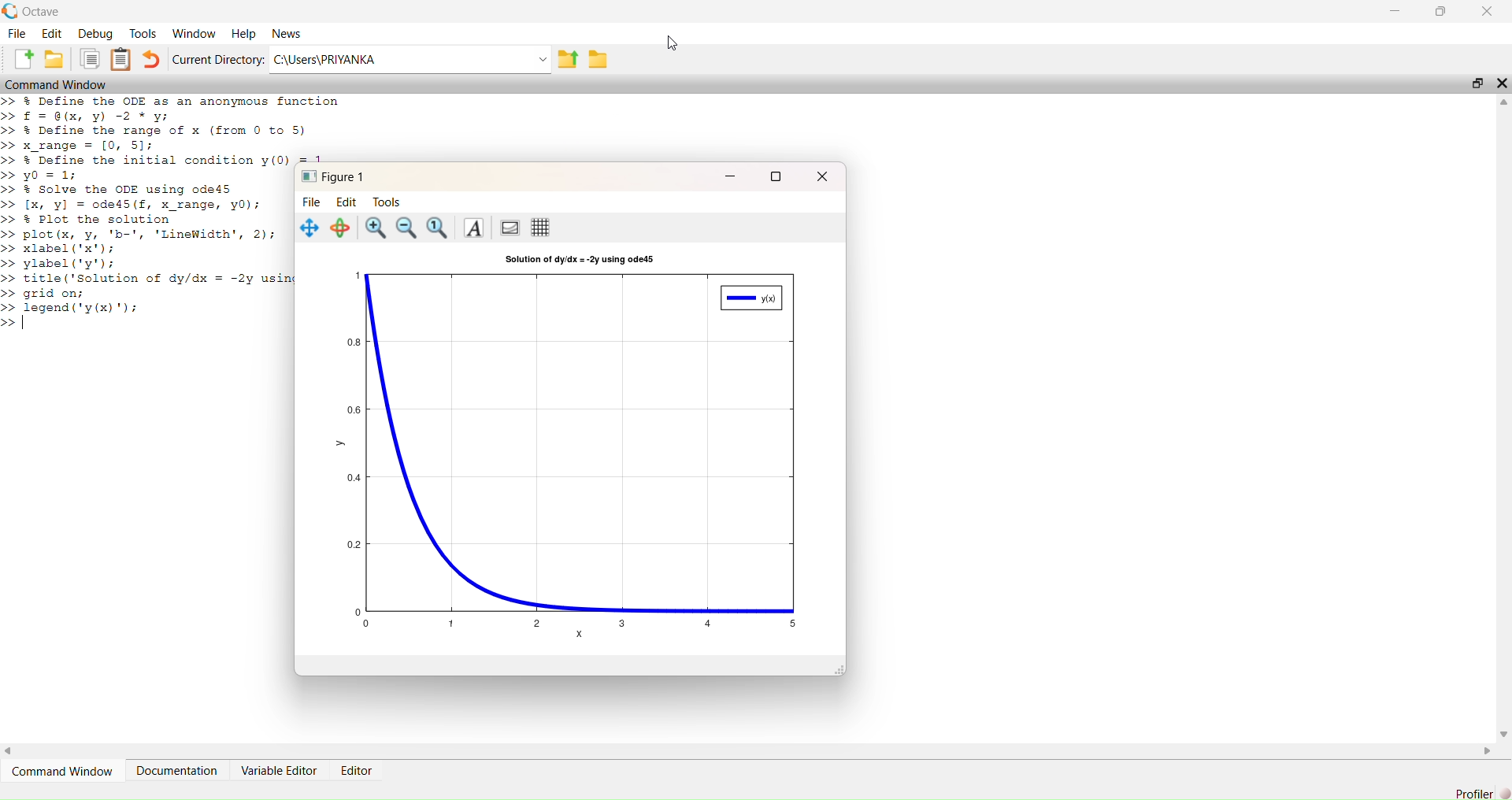  I want to click on cursor, so click(672, 43).